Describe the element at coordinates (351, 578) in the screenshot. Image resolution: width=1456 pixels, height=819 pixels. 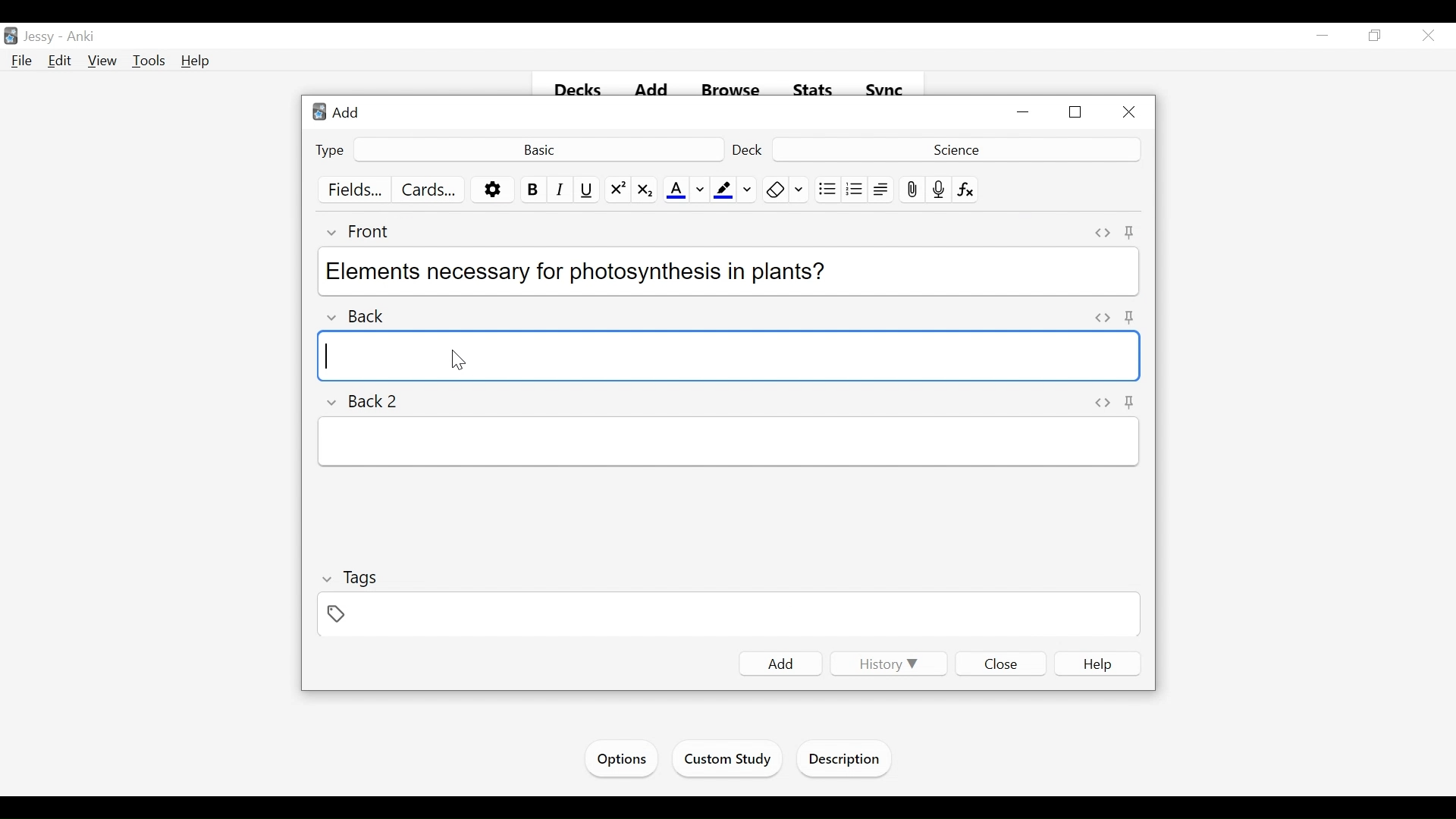
I see `Tags` at that location.